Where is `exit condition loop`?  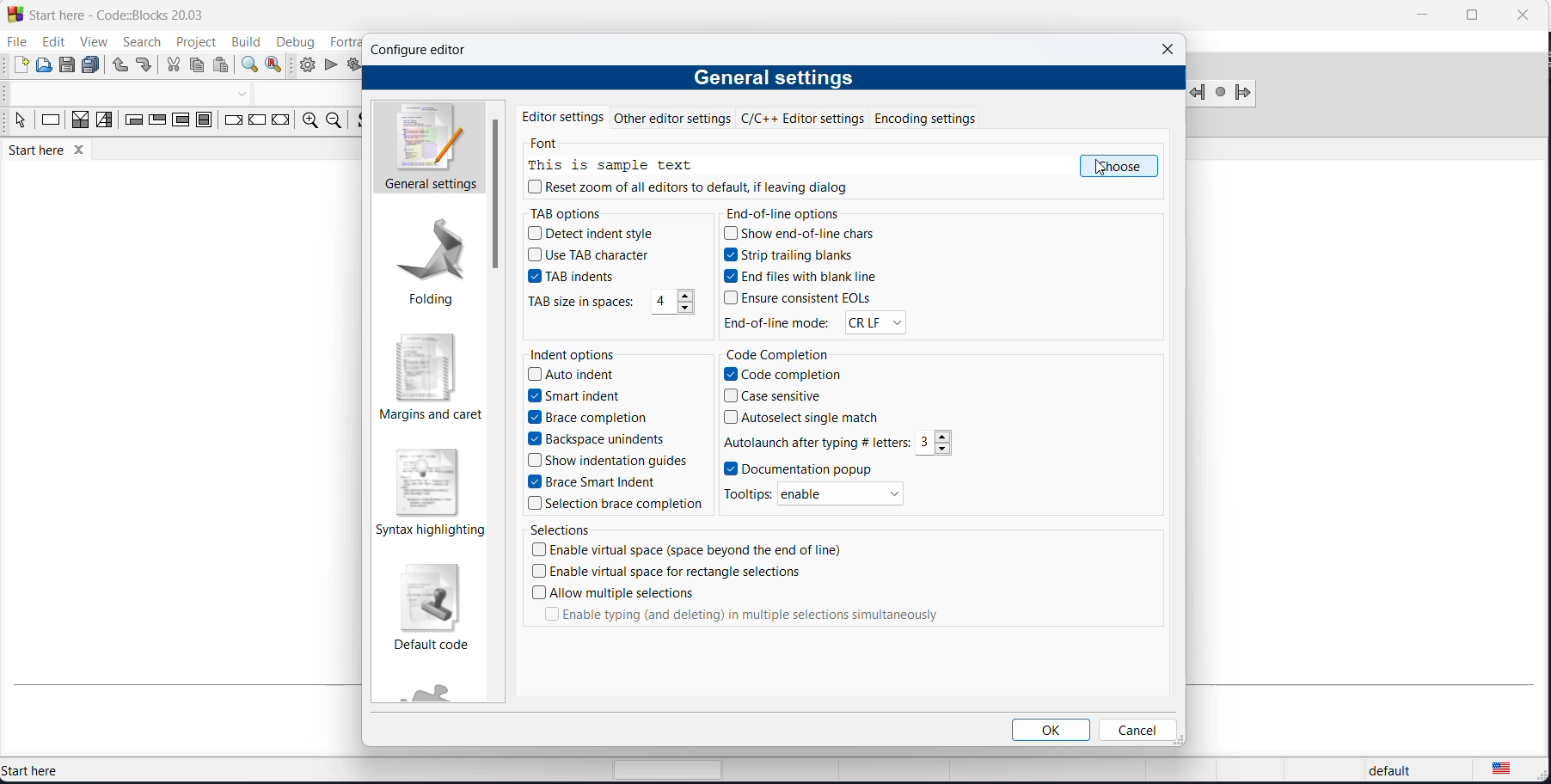 exit condition loop is located at coordinates (156, 123).